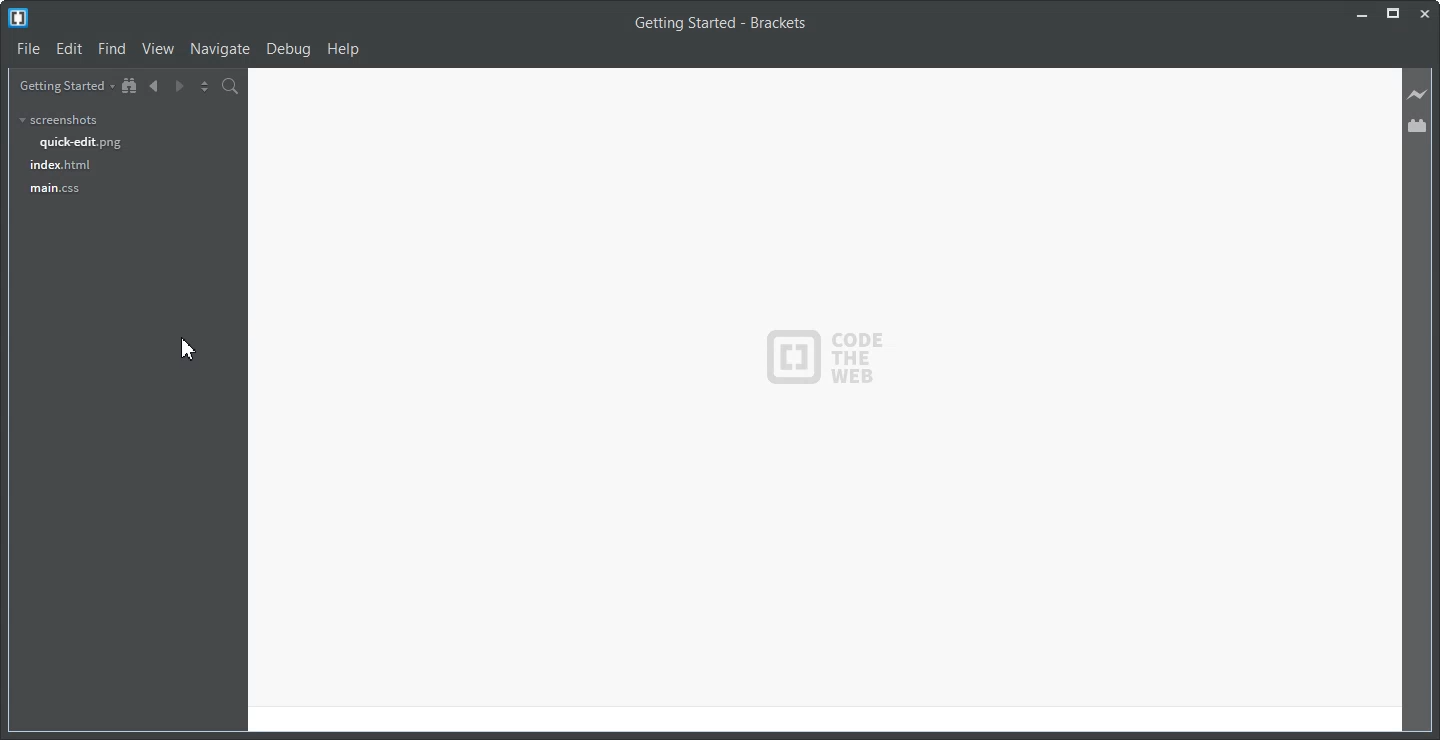 Image resolution: width=1440 pixels, height=740 pixels. I want to click on Find in Files, so click(232, 86).